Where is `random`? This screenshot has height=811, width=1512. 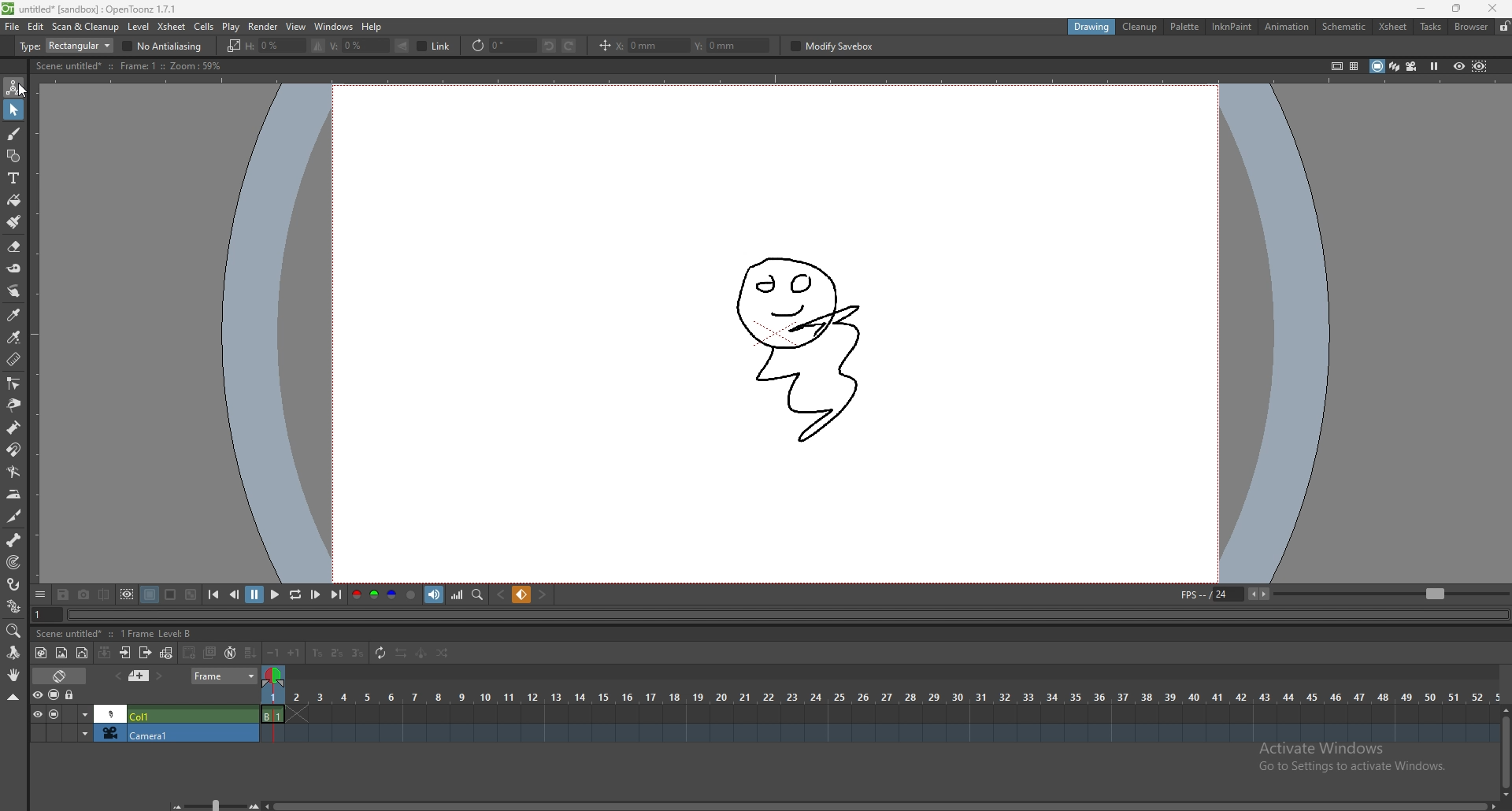
random is located at coordinates (443, 654).